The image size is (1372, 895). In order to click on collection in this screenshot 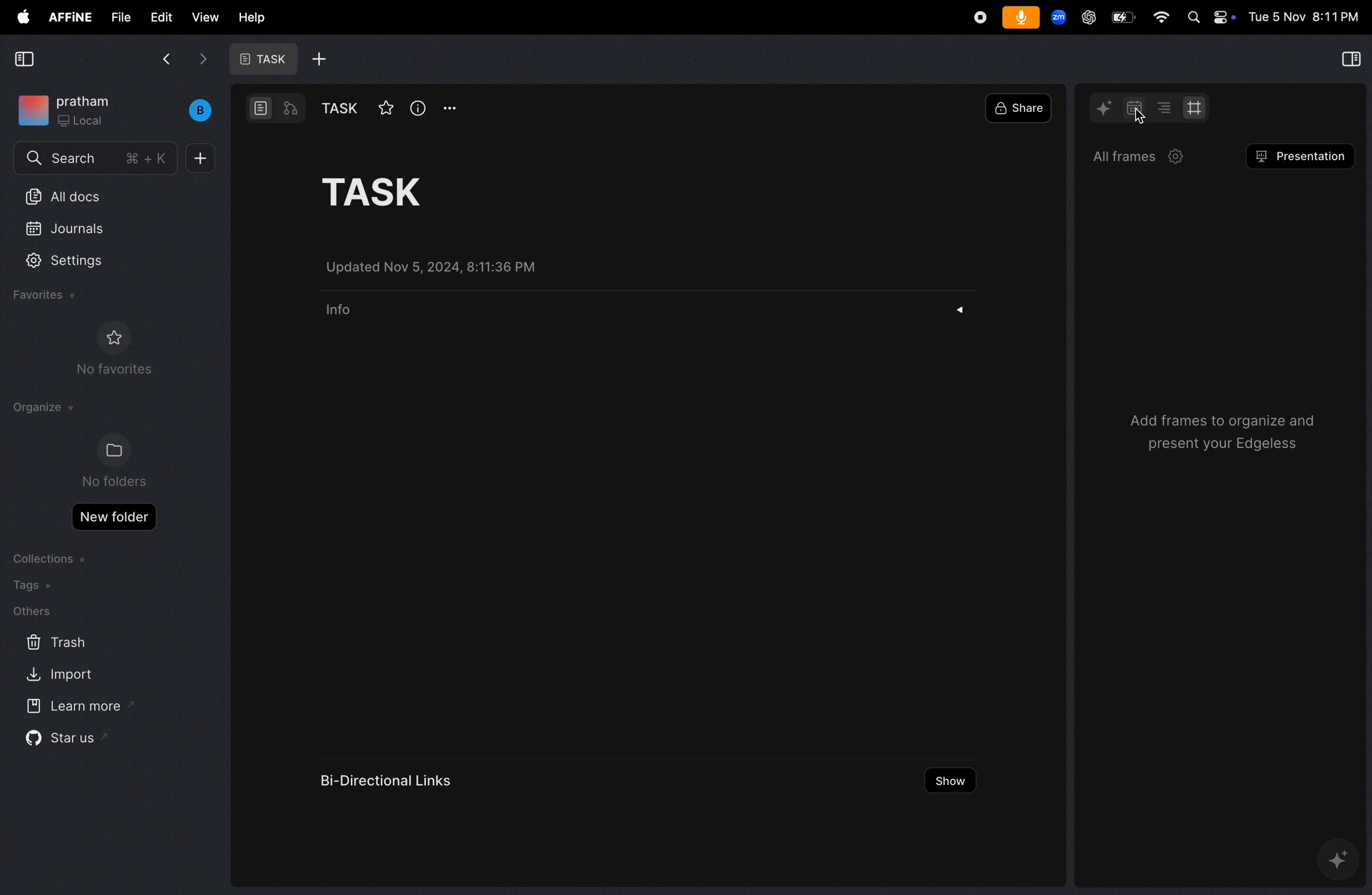, I will do `click(52, 558)`.